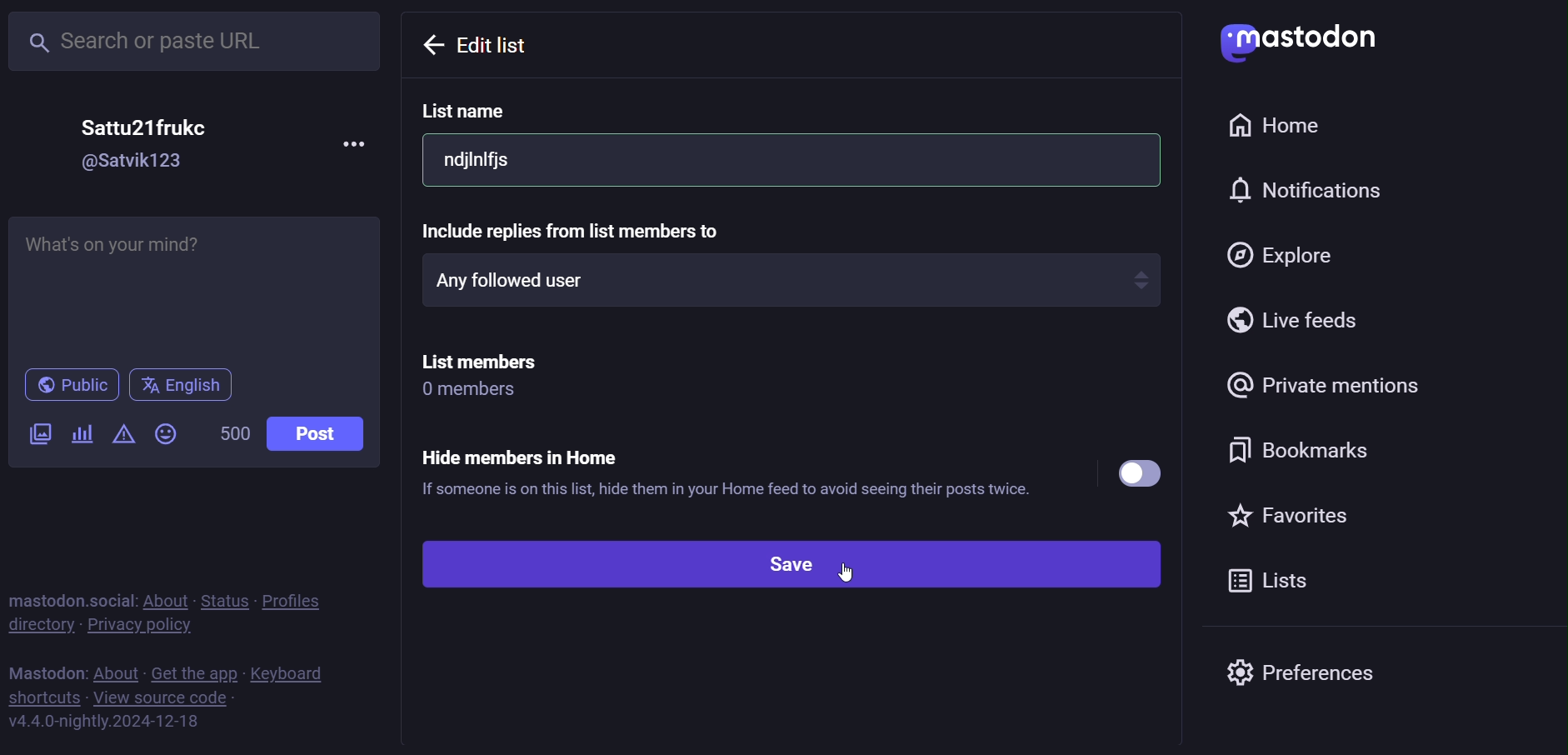 This screenshot has height=755, width=1568. What do you see at coordinates (1291, 320) in the screenshot?
I see `live feed` at bounding box center [1291, 320].